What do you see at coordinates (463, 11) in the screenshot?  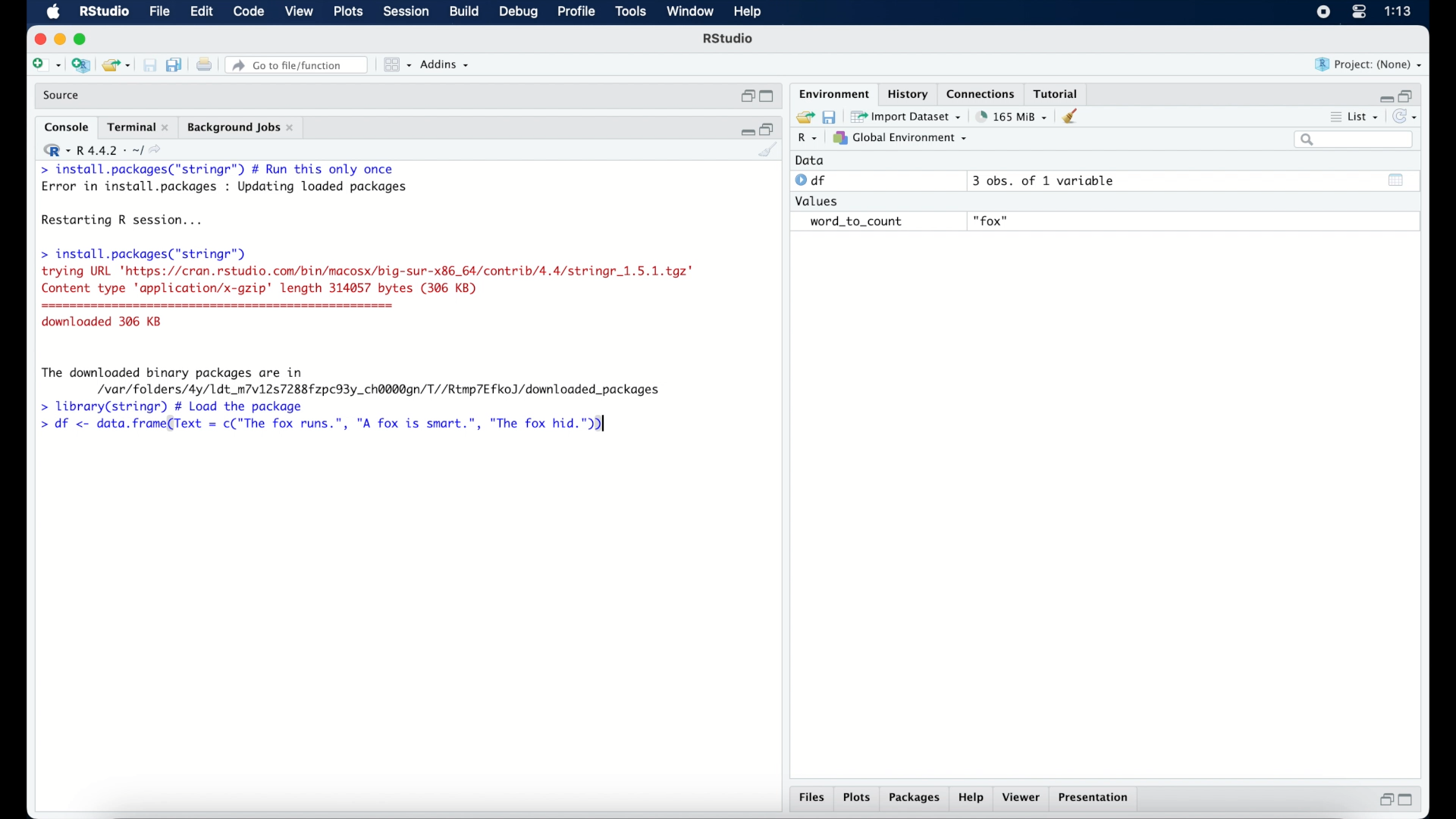 I see `build` at bounding box center [463, 11].